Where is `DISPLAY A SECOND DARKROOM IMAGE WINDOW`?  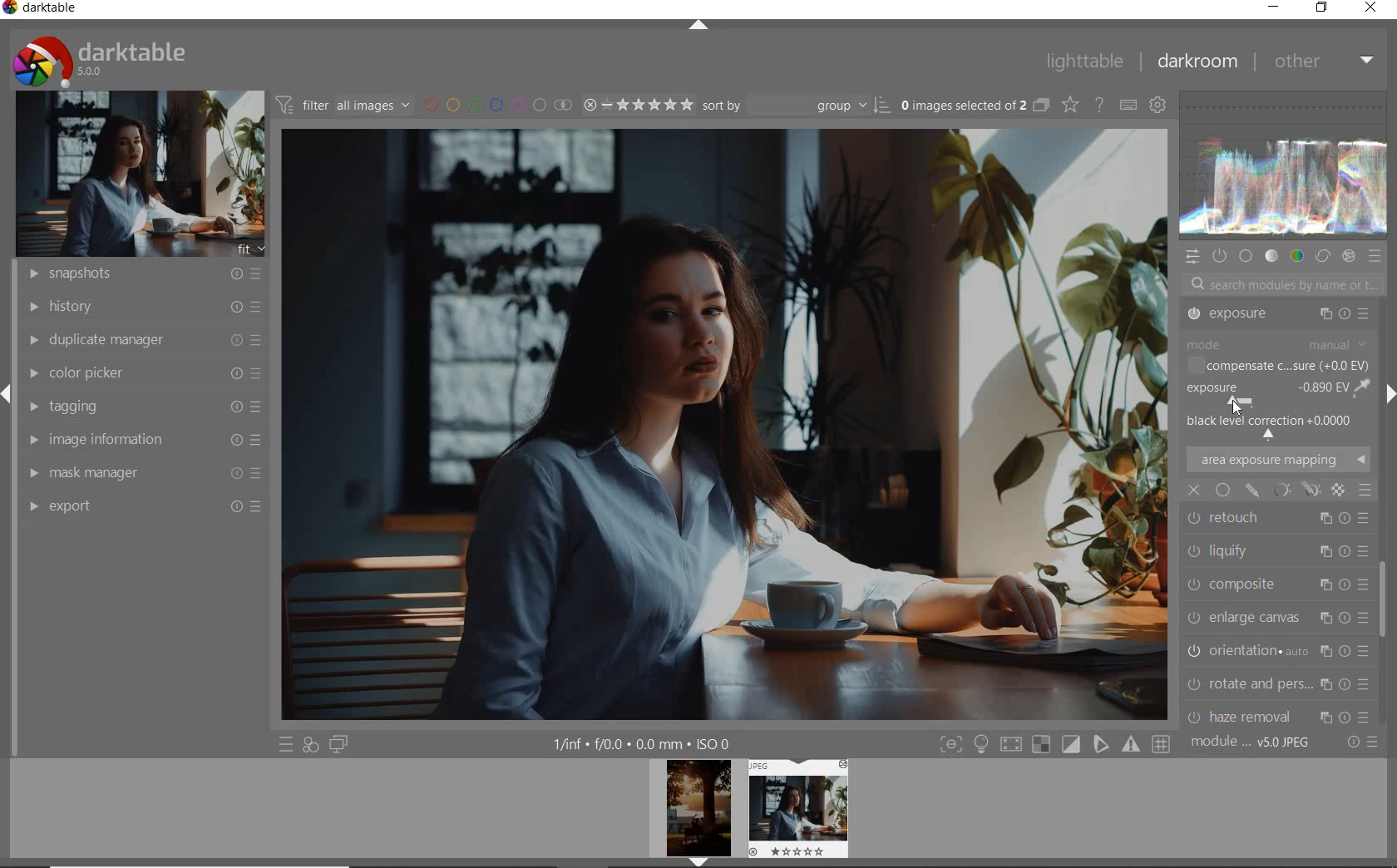 DISPLAY A SECOND DARKROOM IMAGE WINDOW is located at coordinates (339, 745).